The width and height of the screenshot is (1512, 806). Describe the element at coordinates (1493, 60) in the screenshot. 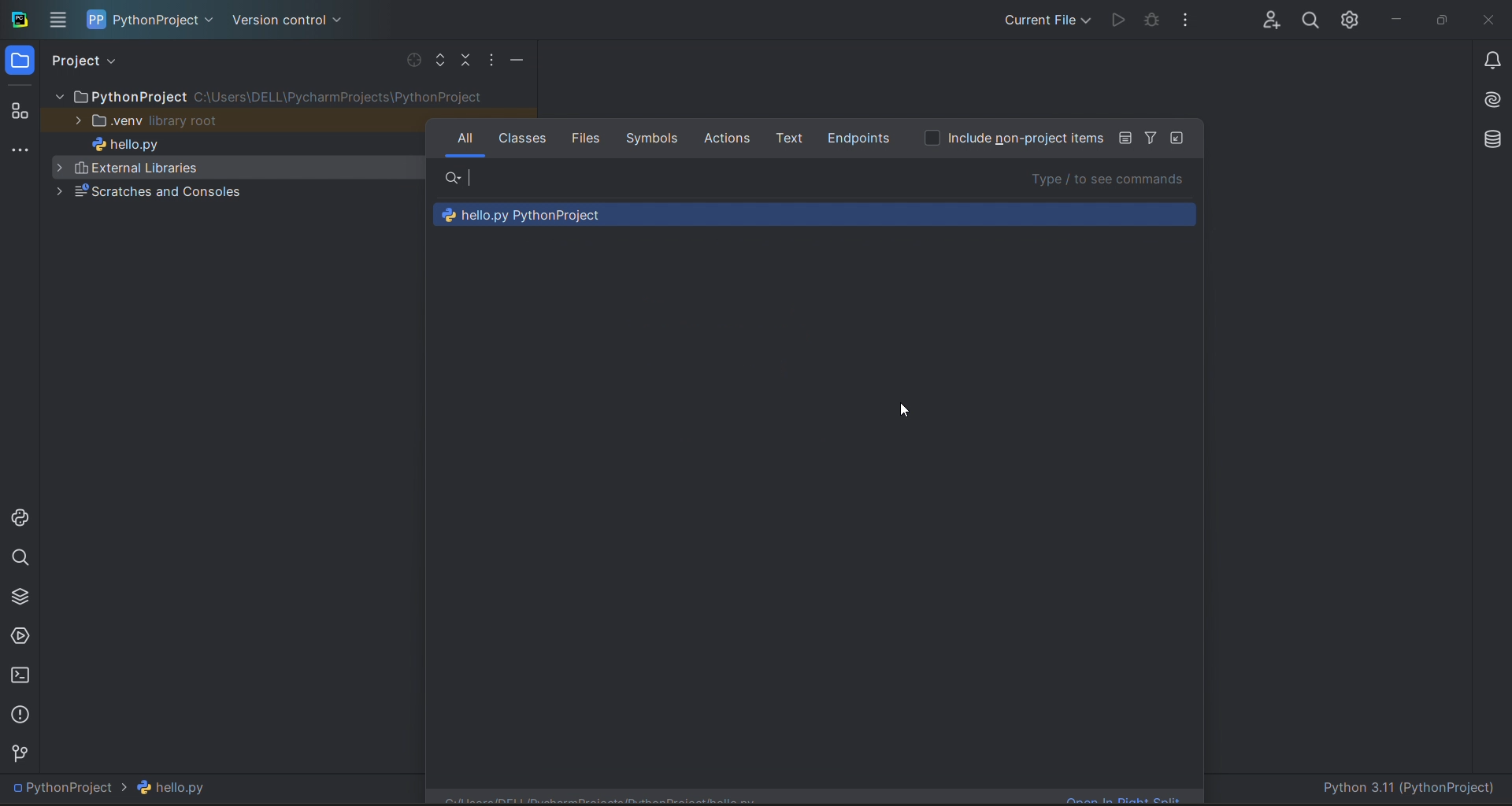

I see `notifications` at that location.